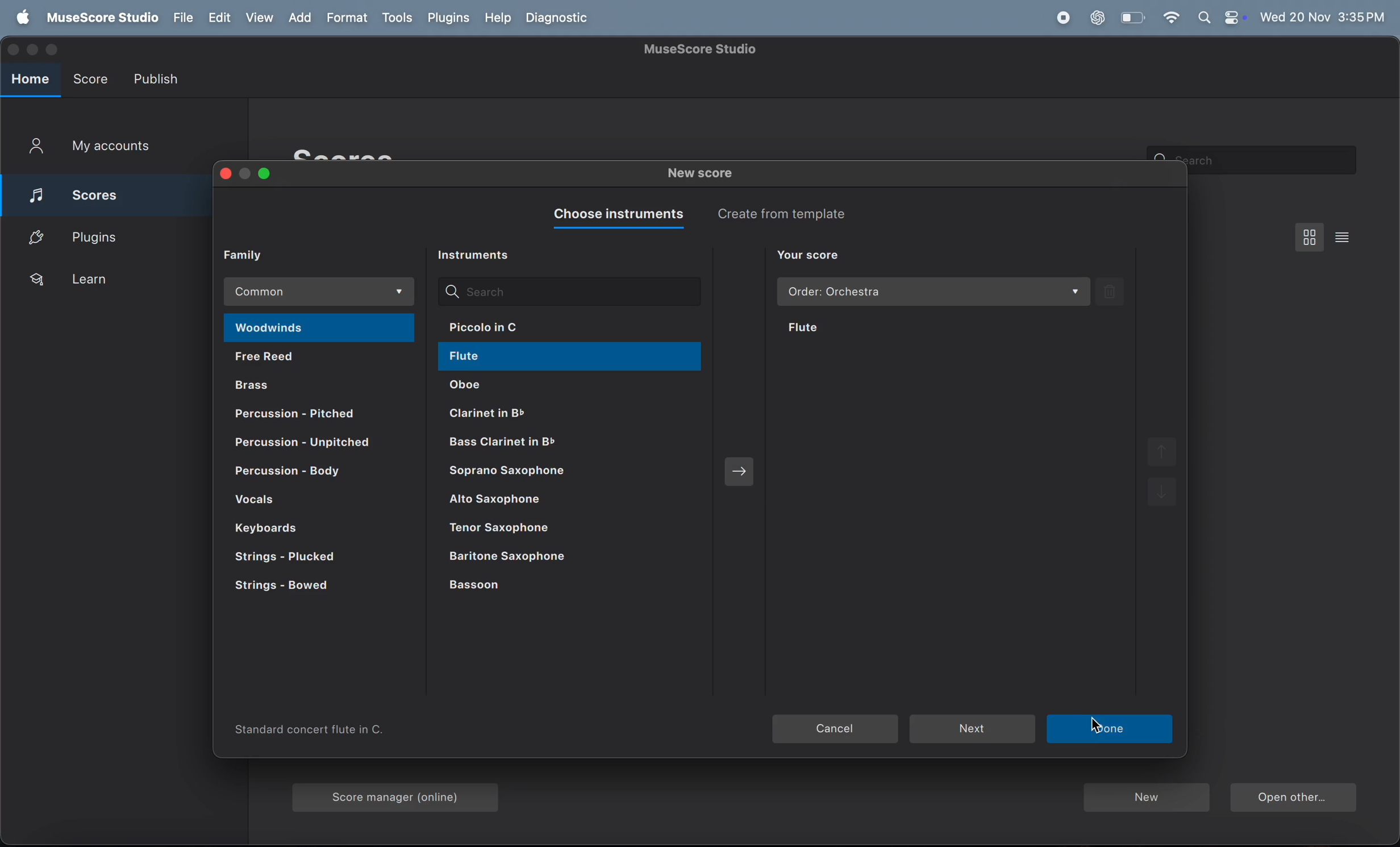 The image size is (1400, 847). Describe the element at coordinates (318, 413) in the screenshot. I see `percussion pitched` at that location.